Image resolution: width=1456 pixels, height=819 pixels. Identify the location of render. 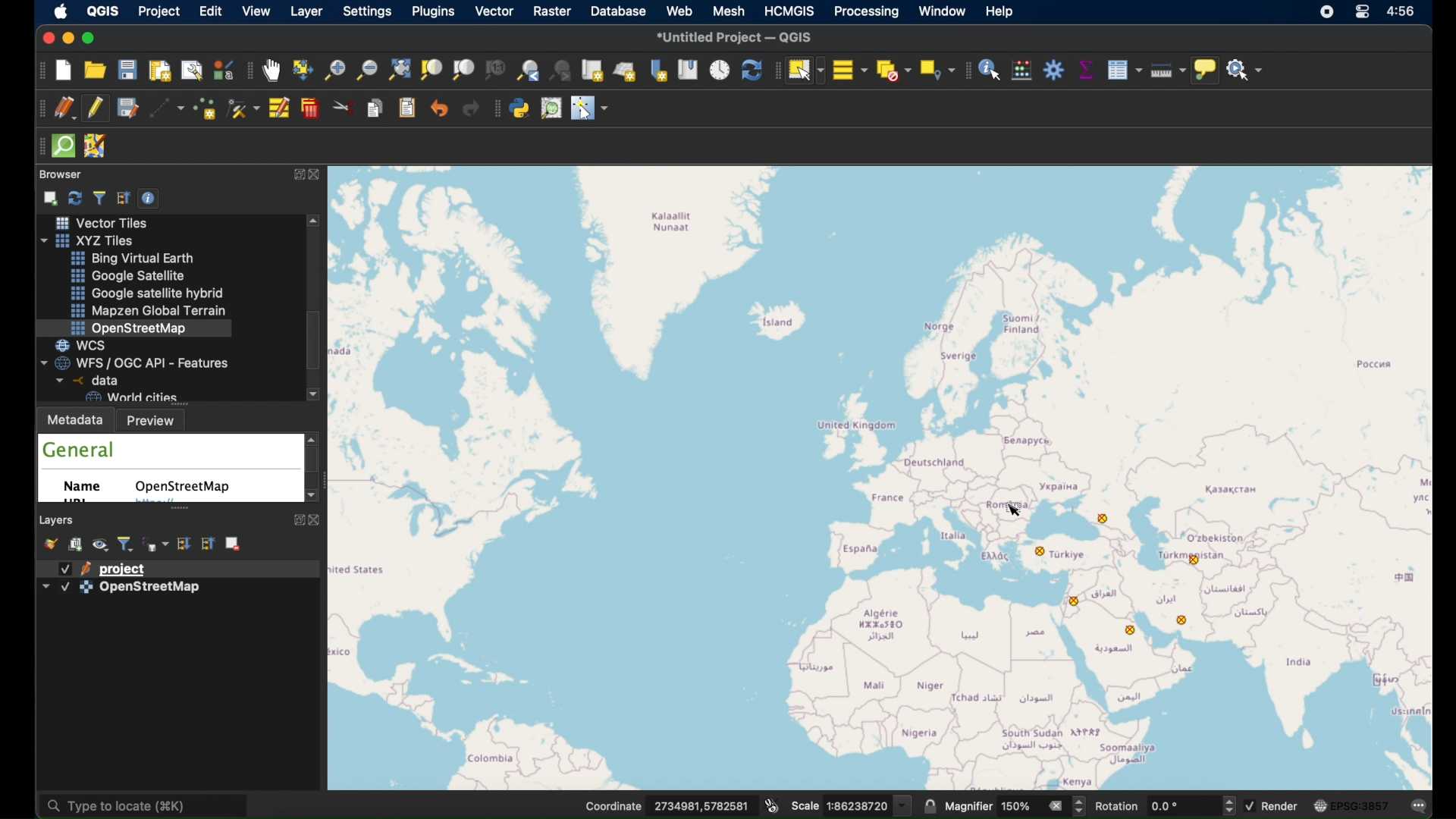
(1282, 805).